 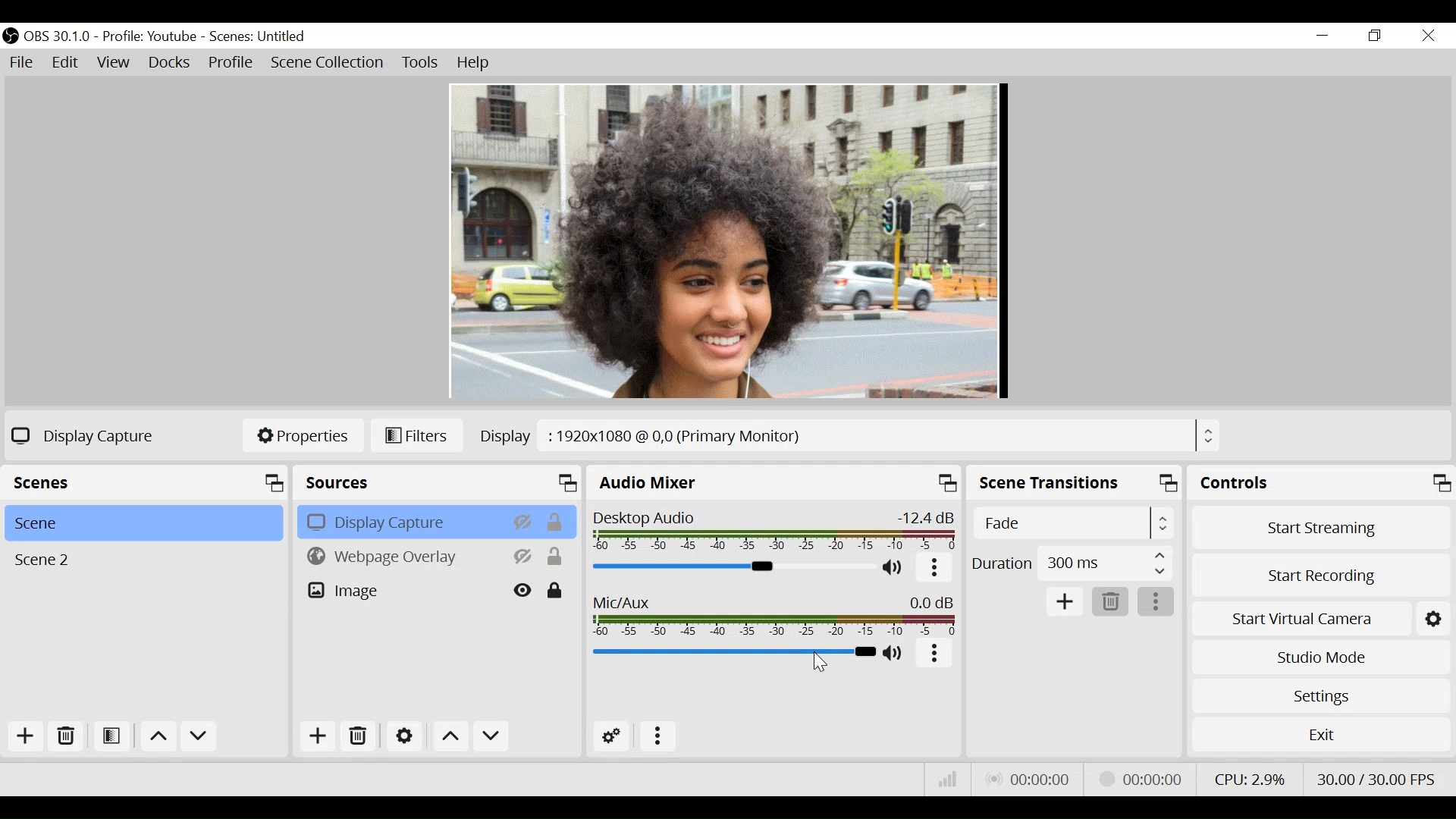 What do you see at coordinates (1155, 602) in the screenshot?
I see `more options` at bounding box center [1155, 602].